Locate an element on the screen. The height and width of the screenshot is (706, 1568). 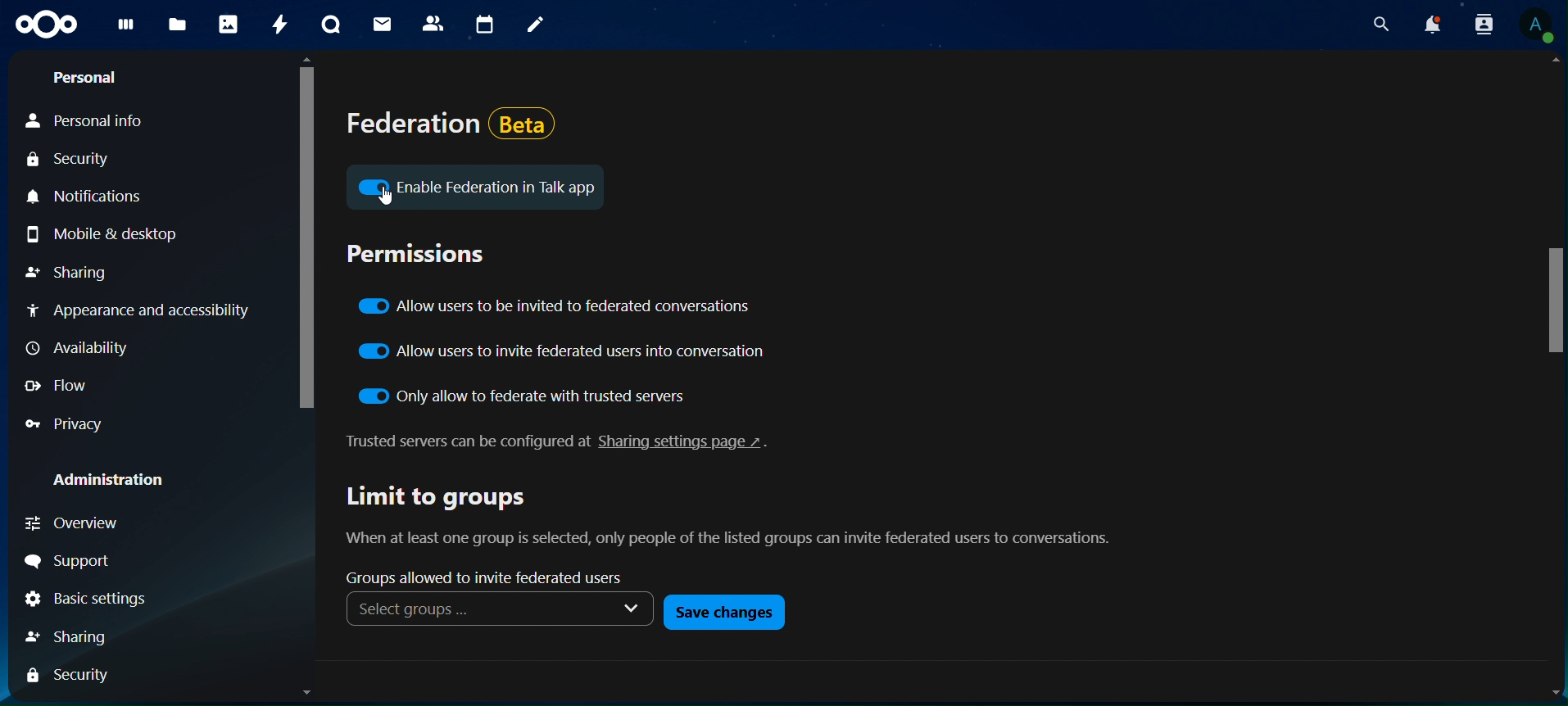
files is located at coordinates (178, 25).